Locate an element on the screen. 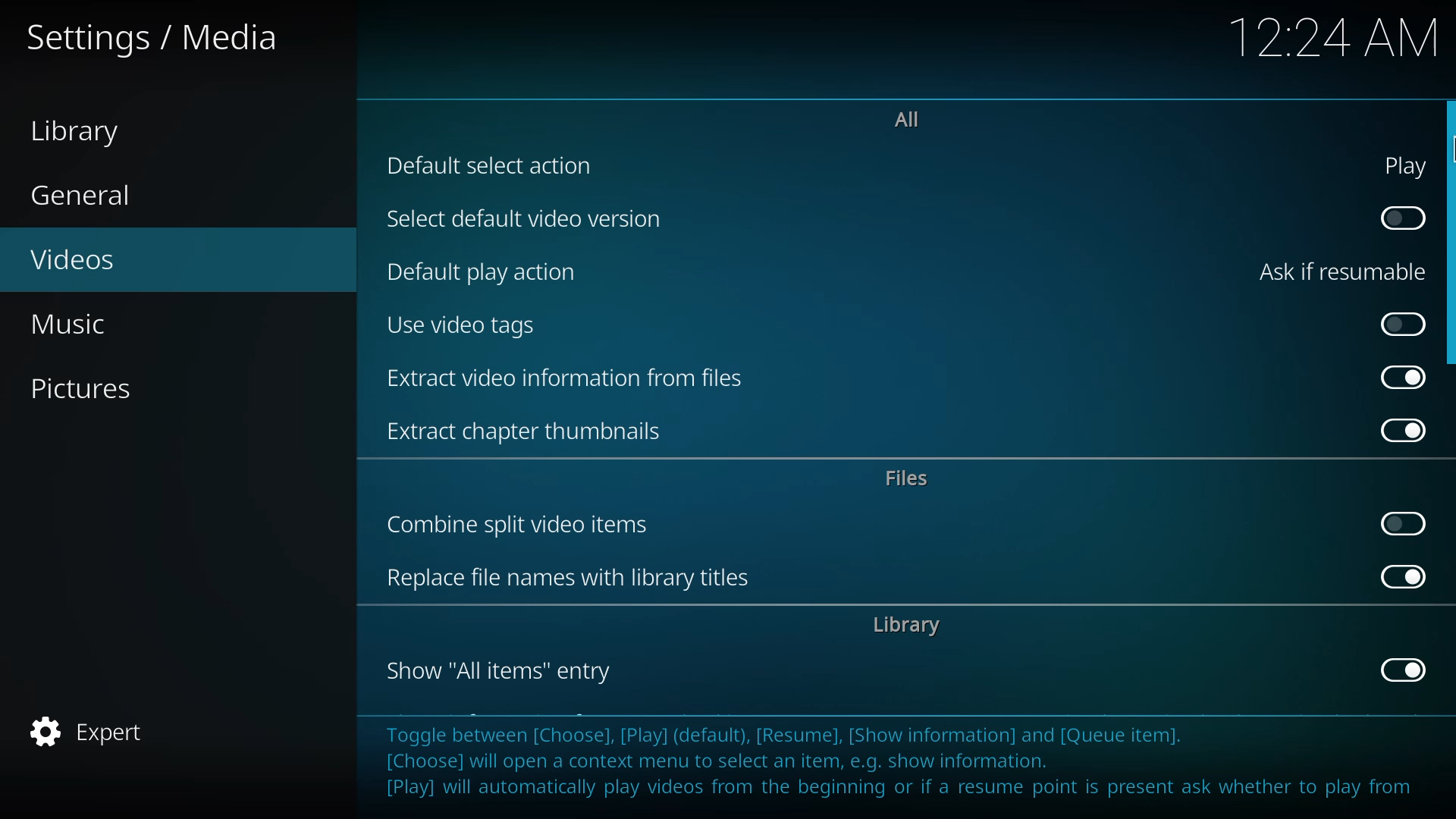 Image resolution: width=1456 pixels, height=819 pixels. settings media is located at coordinates (161, 36).